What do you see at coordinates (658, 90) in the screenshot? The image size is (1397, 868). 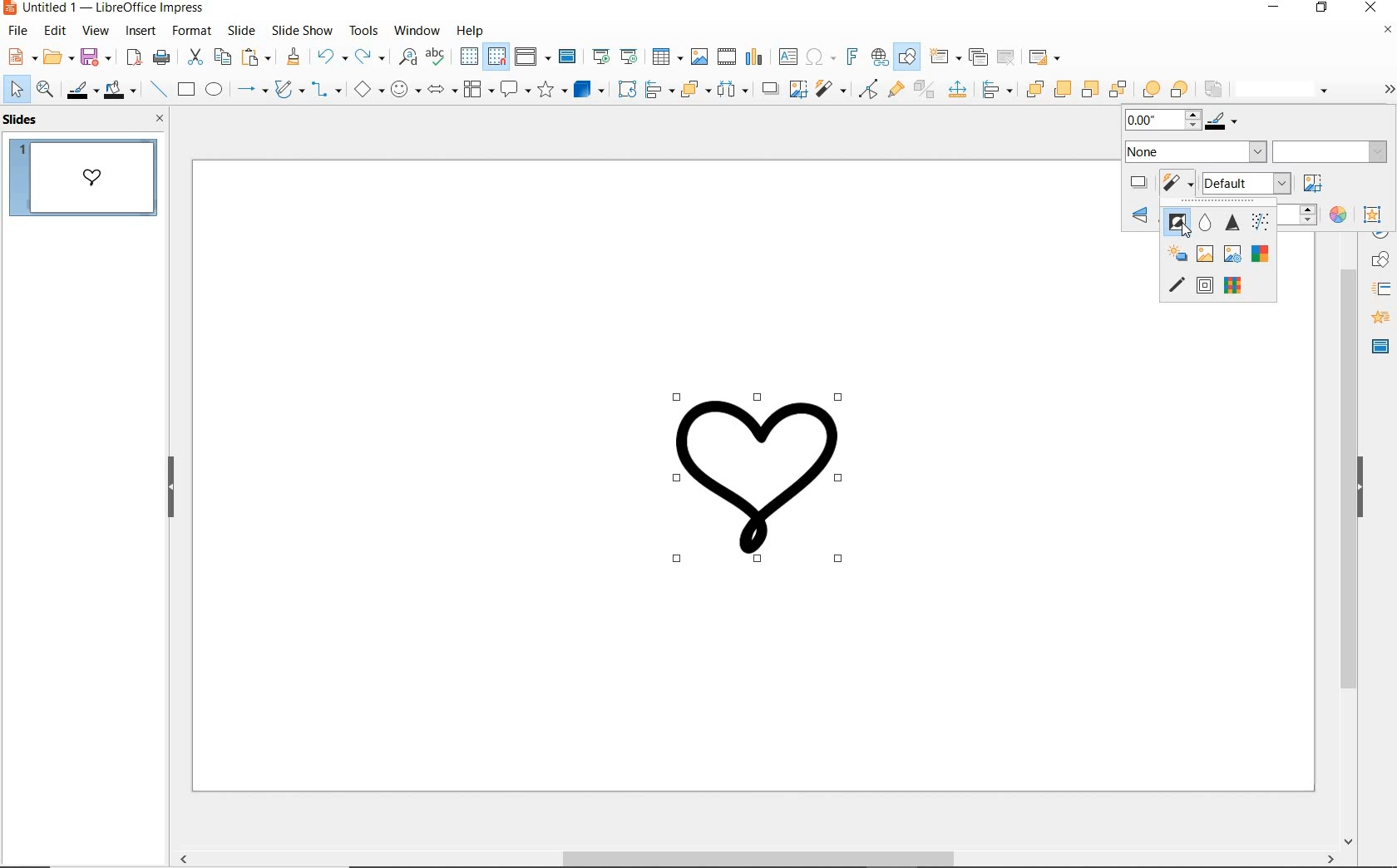 I see `align objects` at bounding box center [658, 90].